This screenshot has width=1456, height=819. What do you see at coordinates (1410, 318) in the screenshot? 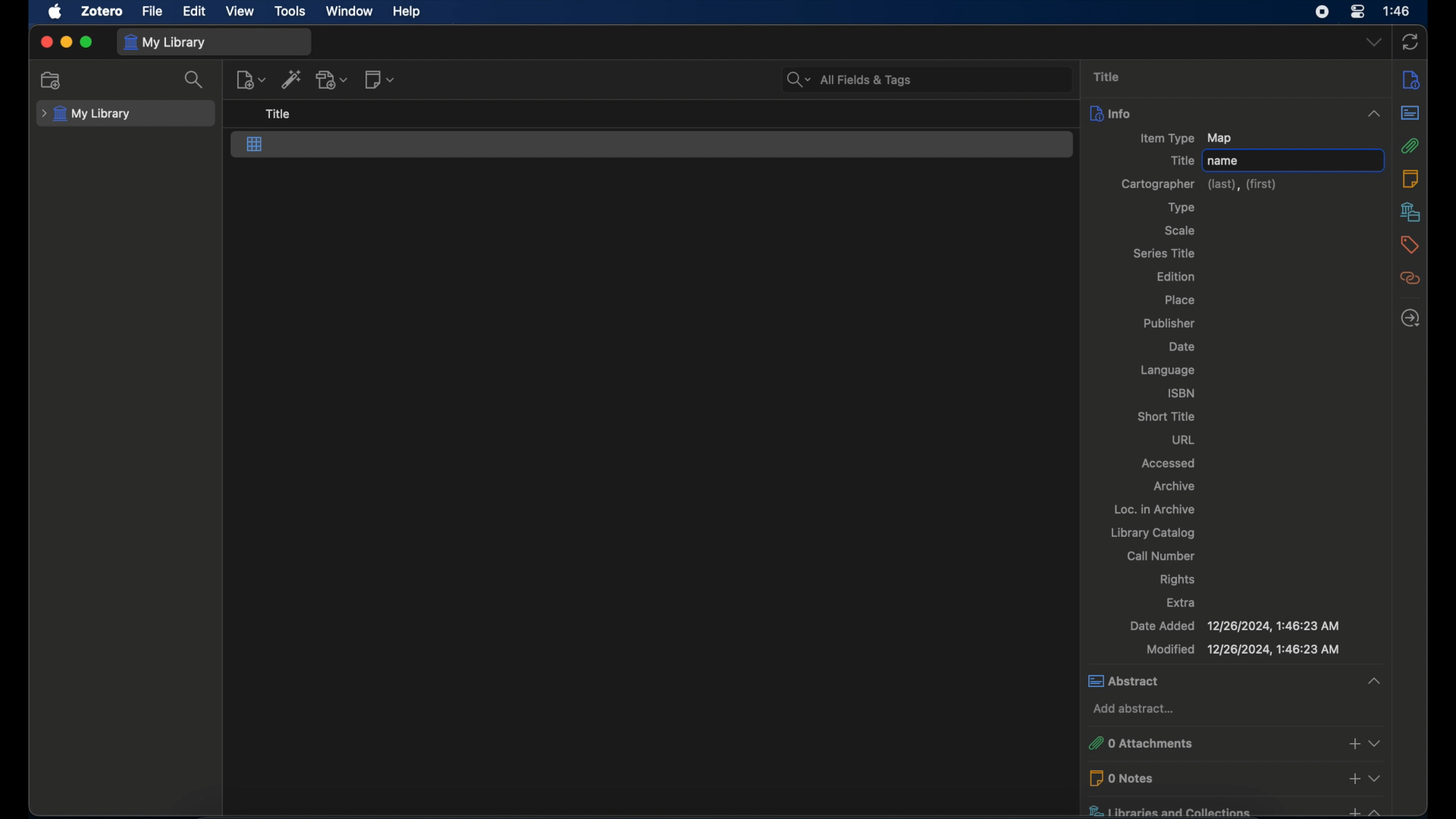
I see `locate` at bounding box center [1410, 318].